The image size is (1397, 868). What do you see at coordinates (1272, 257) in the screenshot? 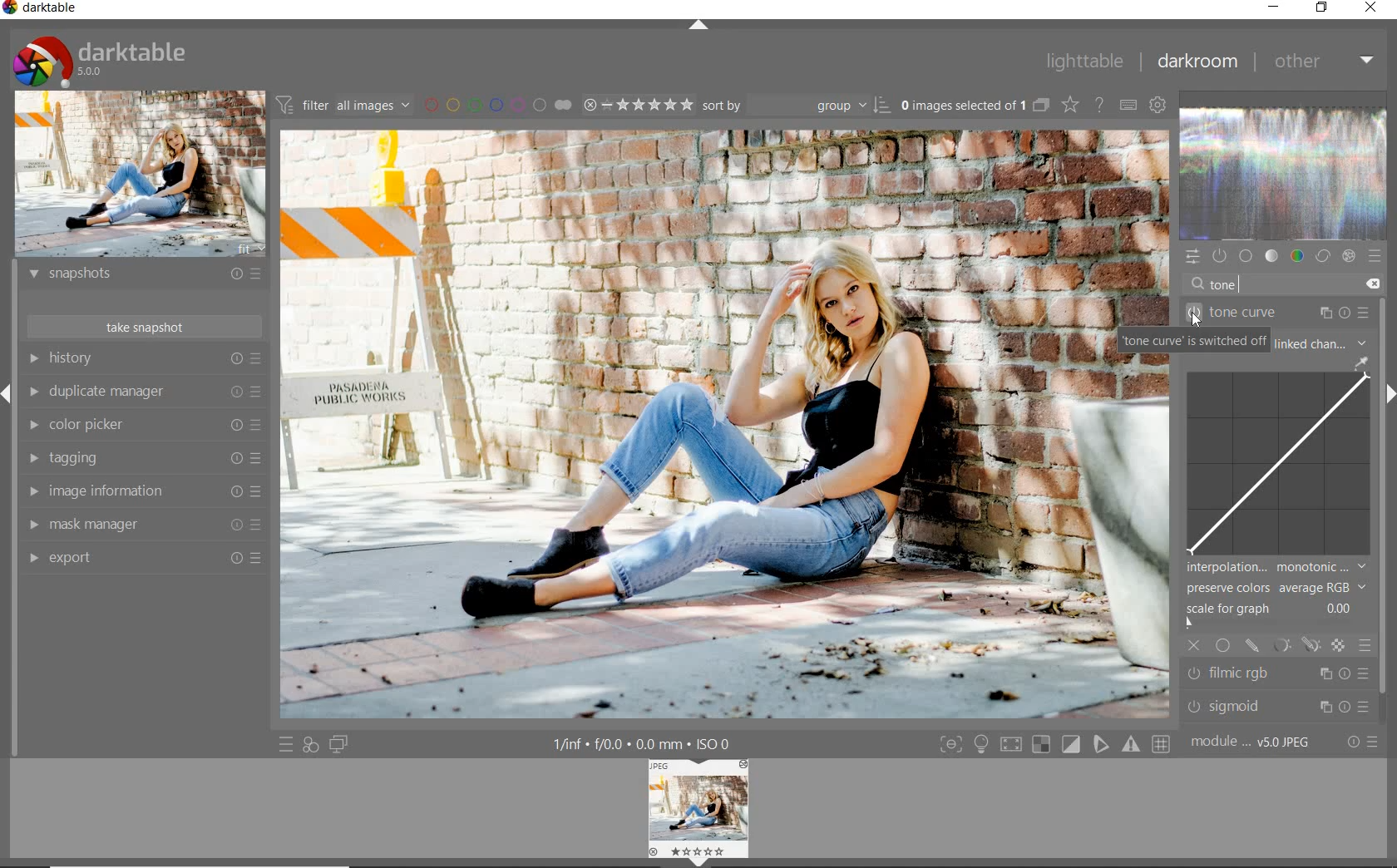
I see `tone` at bounding box center [1272, 257].